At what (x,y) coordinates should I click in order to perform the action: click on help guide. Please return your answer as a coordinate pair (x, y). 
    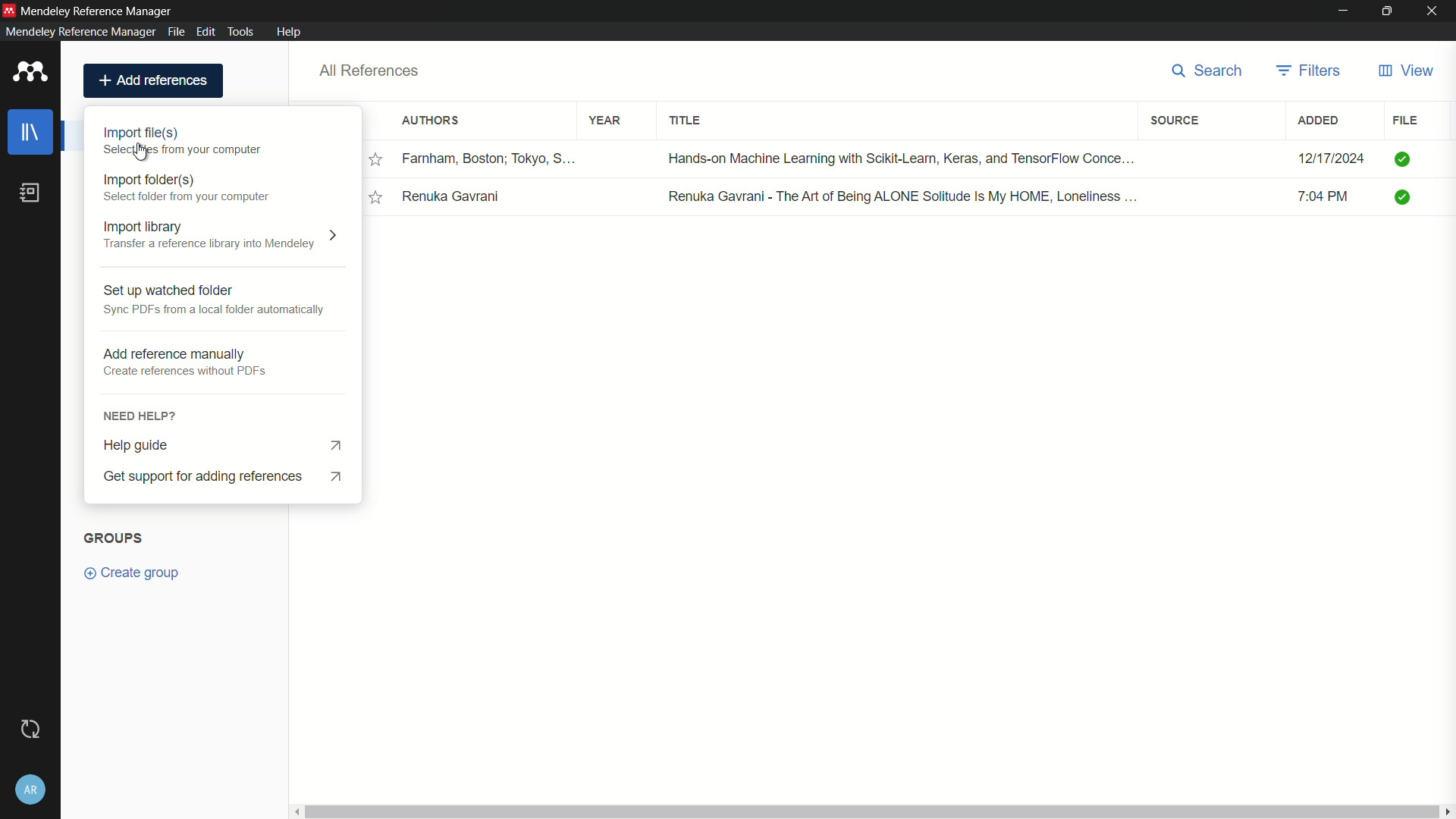
    Looking at the image, I should click on (227, 442).